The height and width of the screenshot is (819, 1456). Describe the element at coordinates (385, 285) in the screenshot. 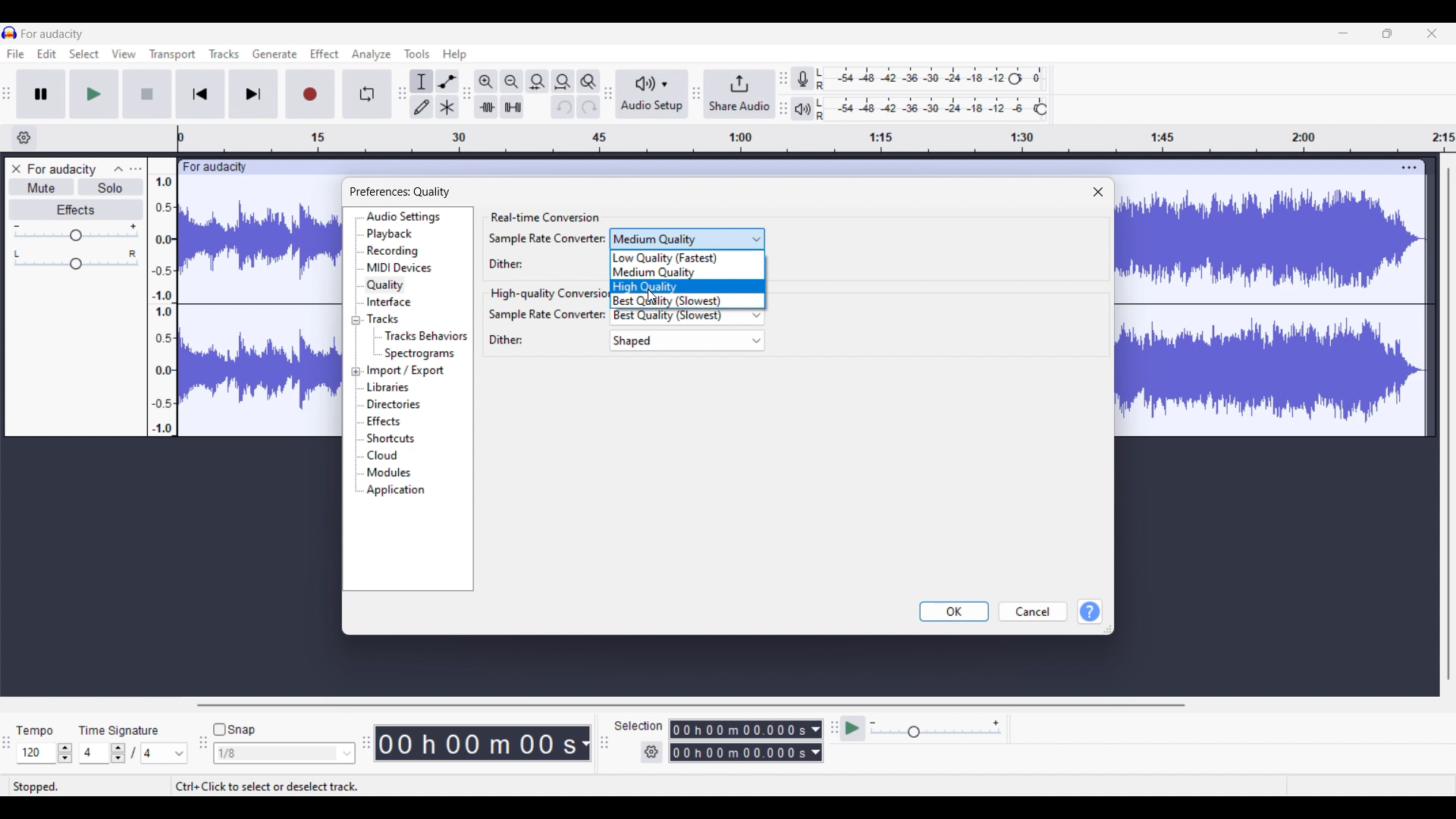

I see `Quality, highlighted as current selection` at that location.